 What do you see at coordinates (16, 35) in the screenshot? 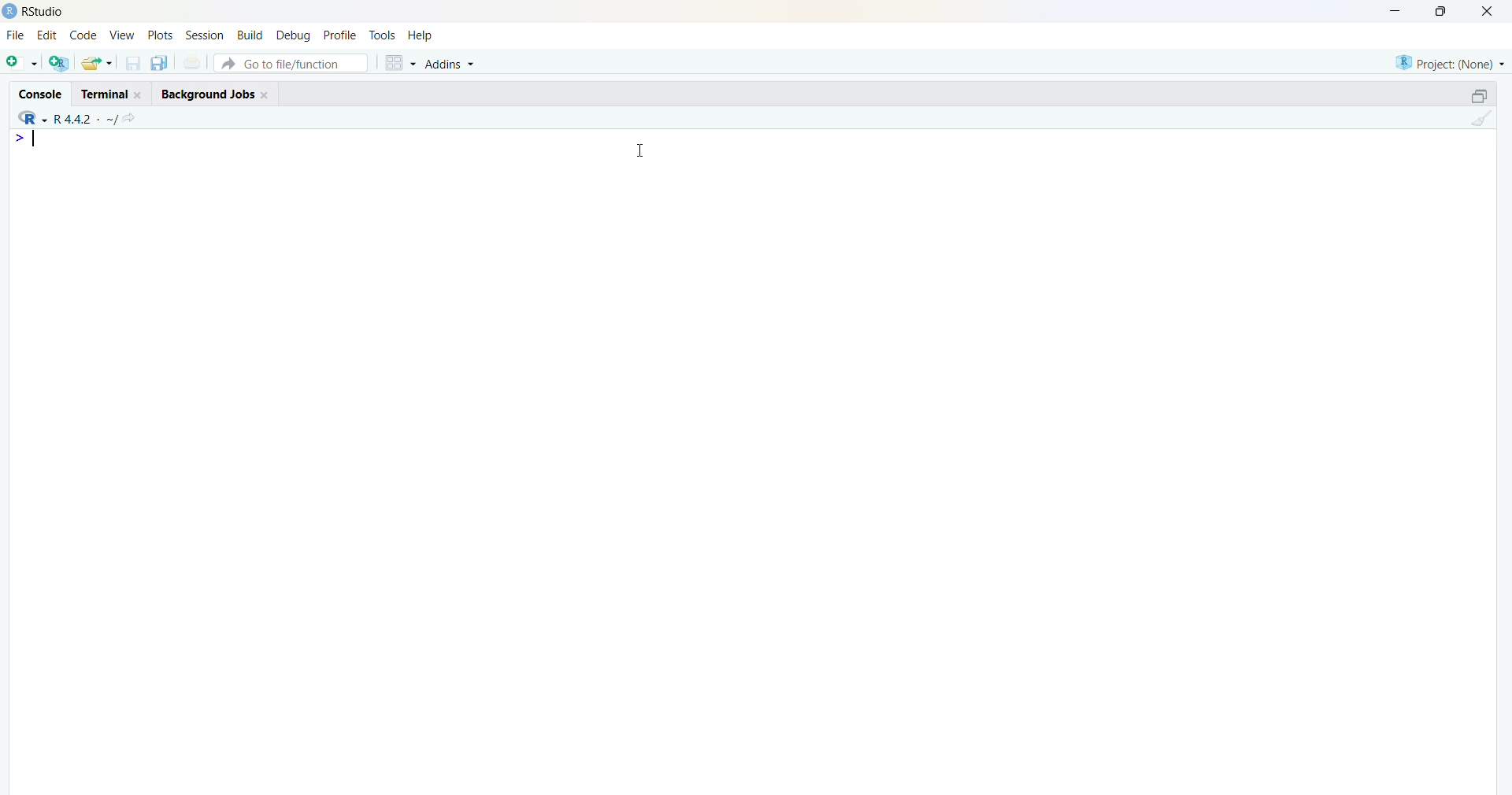
I see `File` at bounding box center [16, 35].